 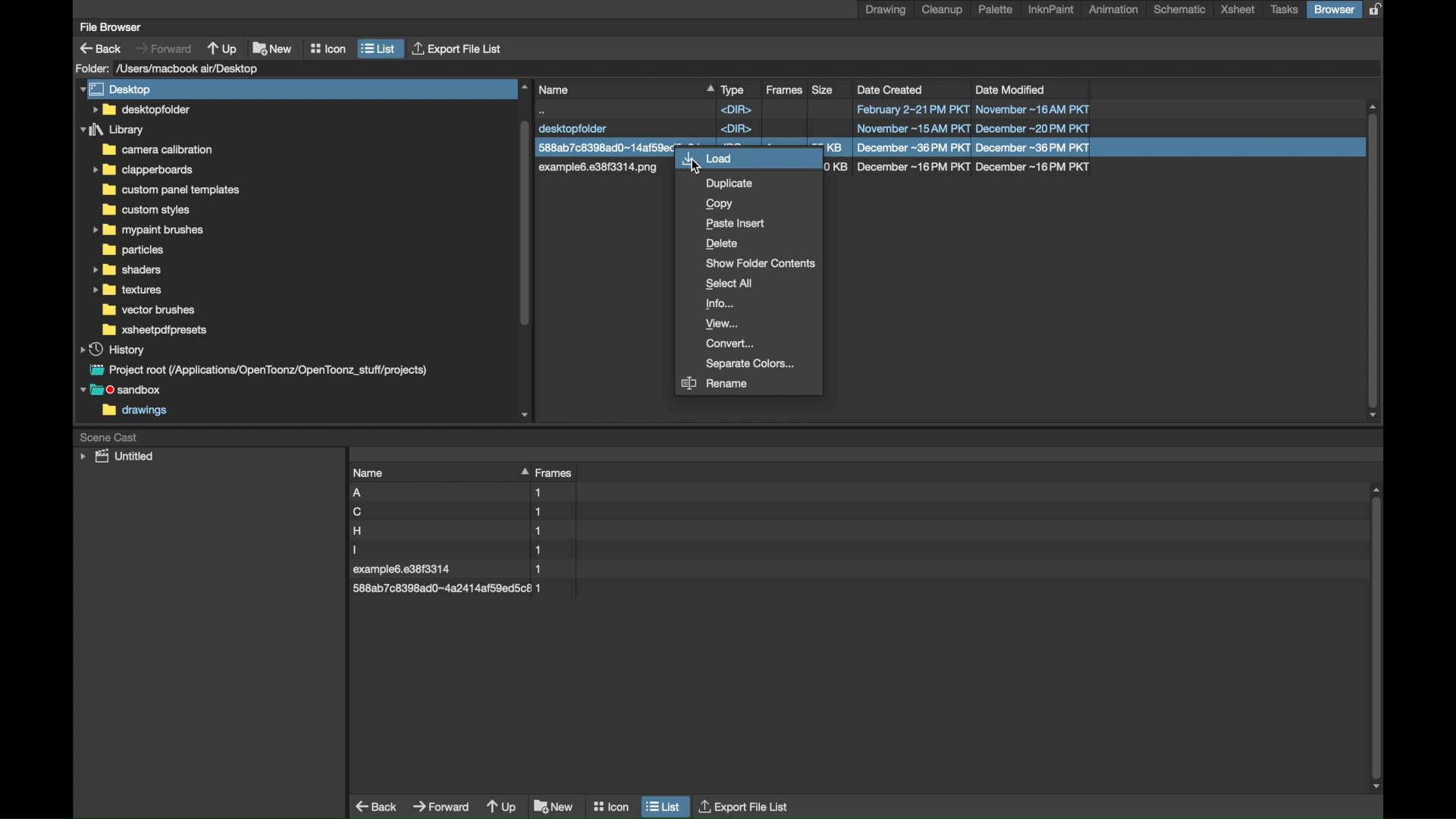 What do you see at coordinates (1179, 9) in the screenshot?
I see `schematic` at bounding box center [1179, 9].